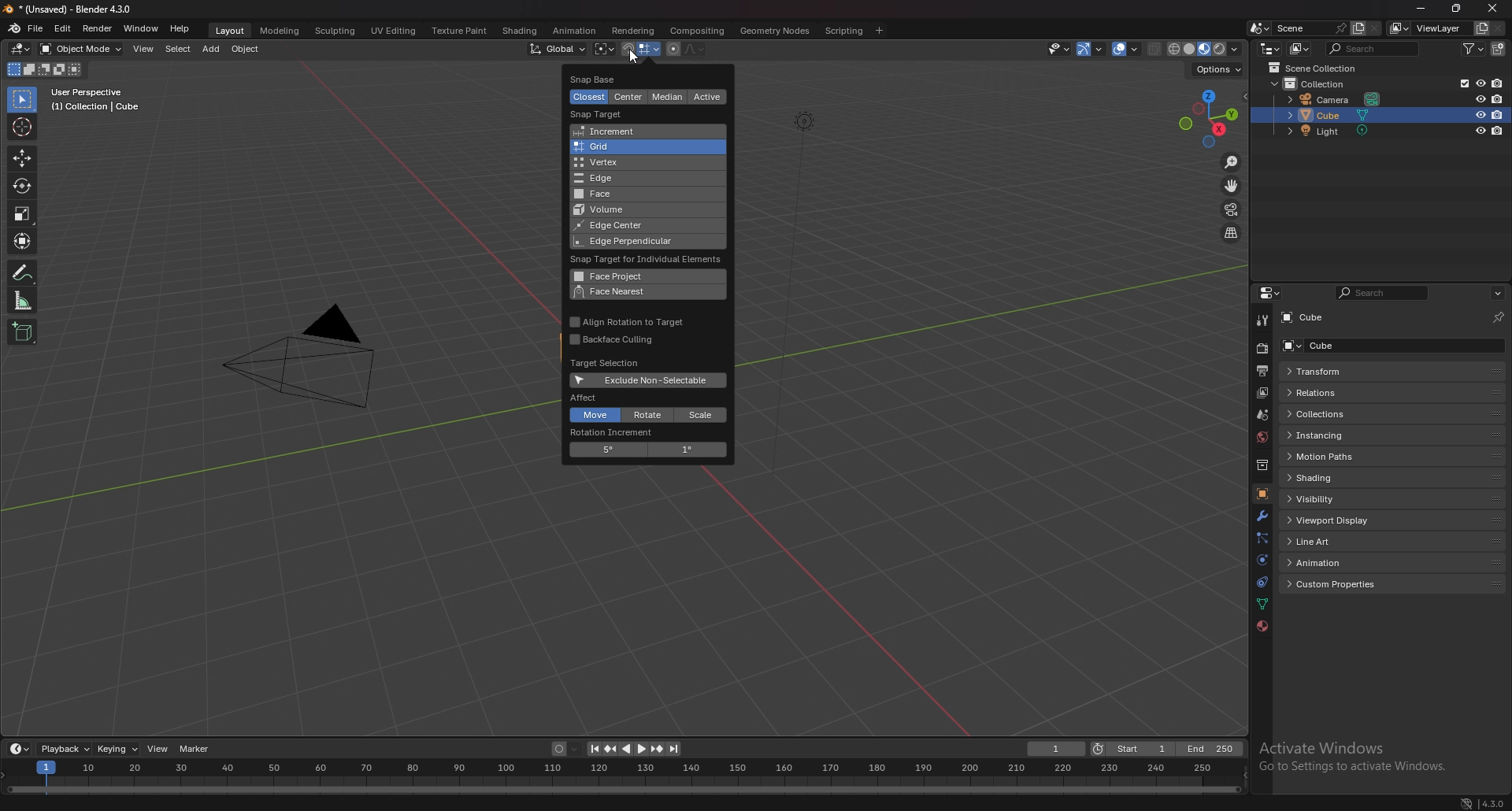 The width and height of the screenshot is (1512, 811). What do you see at coordinates (1337, 562) in the screenshot?
I see `animation` at bounding box center [1337, 562].